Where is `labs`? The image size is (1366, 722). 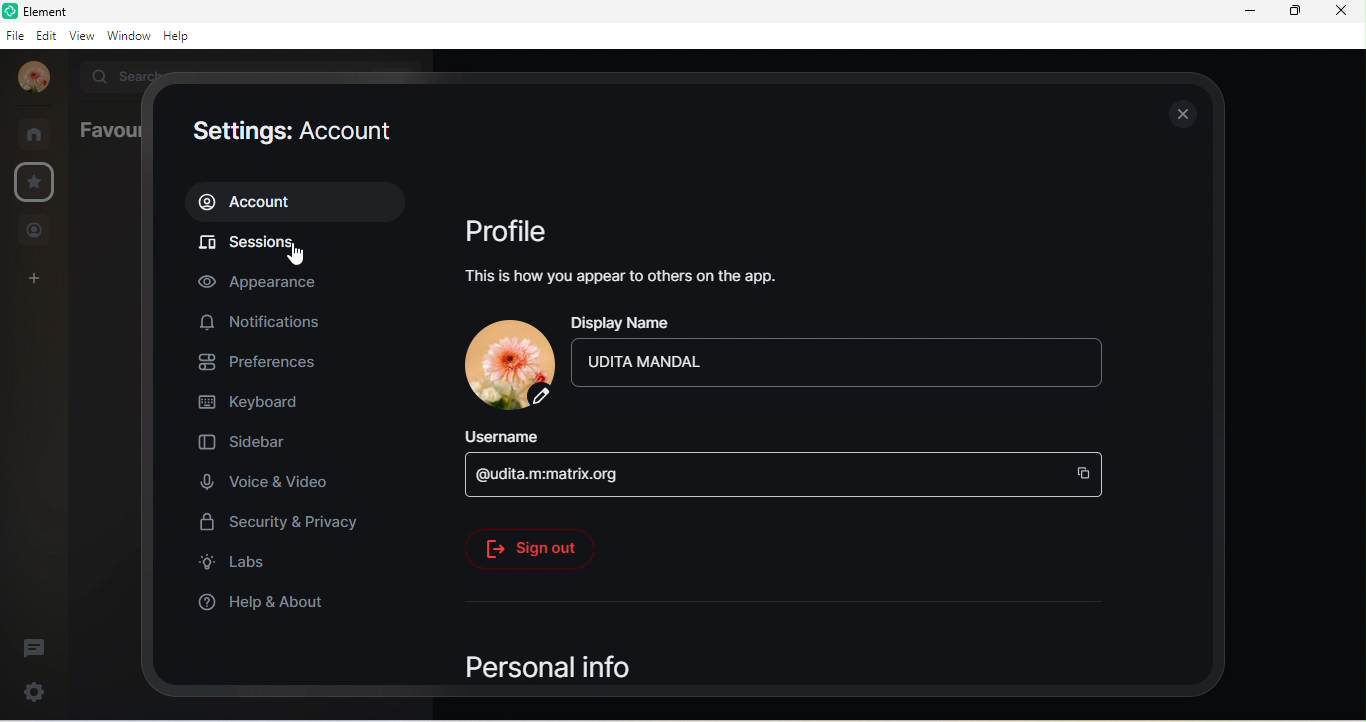 labs is located at coordinates (241, 565).